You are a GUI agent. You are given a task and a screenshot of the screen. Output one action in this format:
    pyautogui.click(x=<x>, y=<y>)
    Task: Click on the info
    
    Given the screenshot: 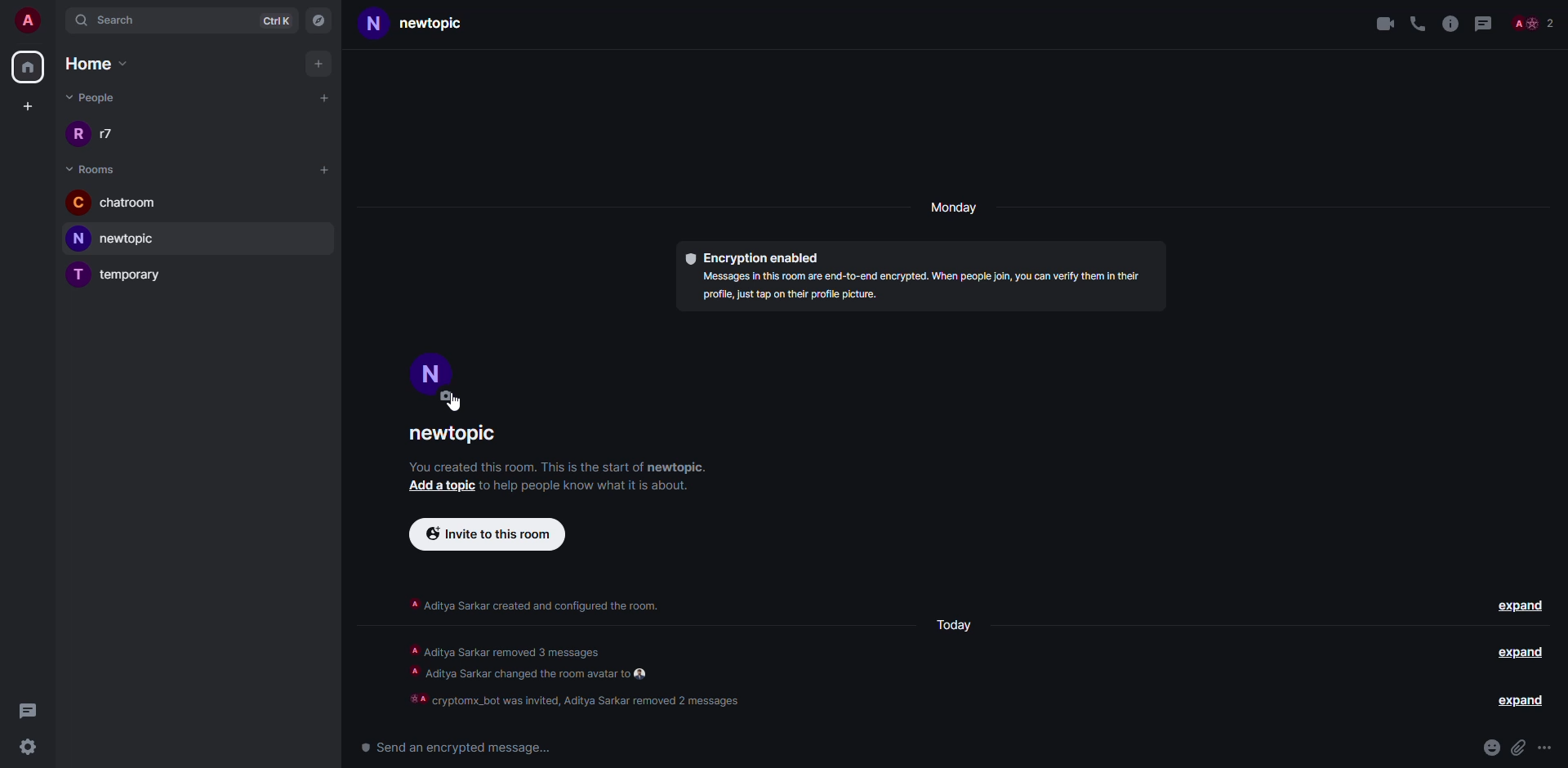 What is the action you would take?
    pyautogui.click(x=919, y=288)
    